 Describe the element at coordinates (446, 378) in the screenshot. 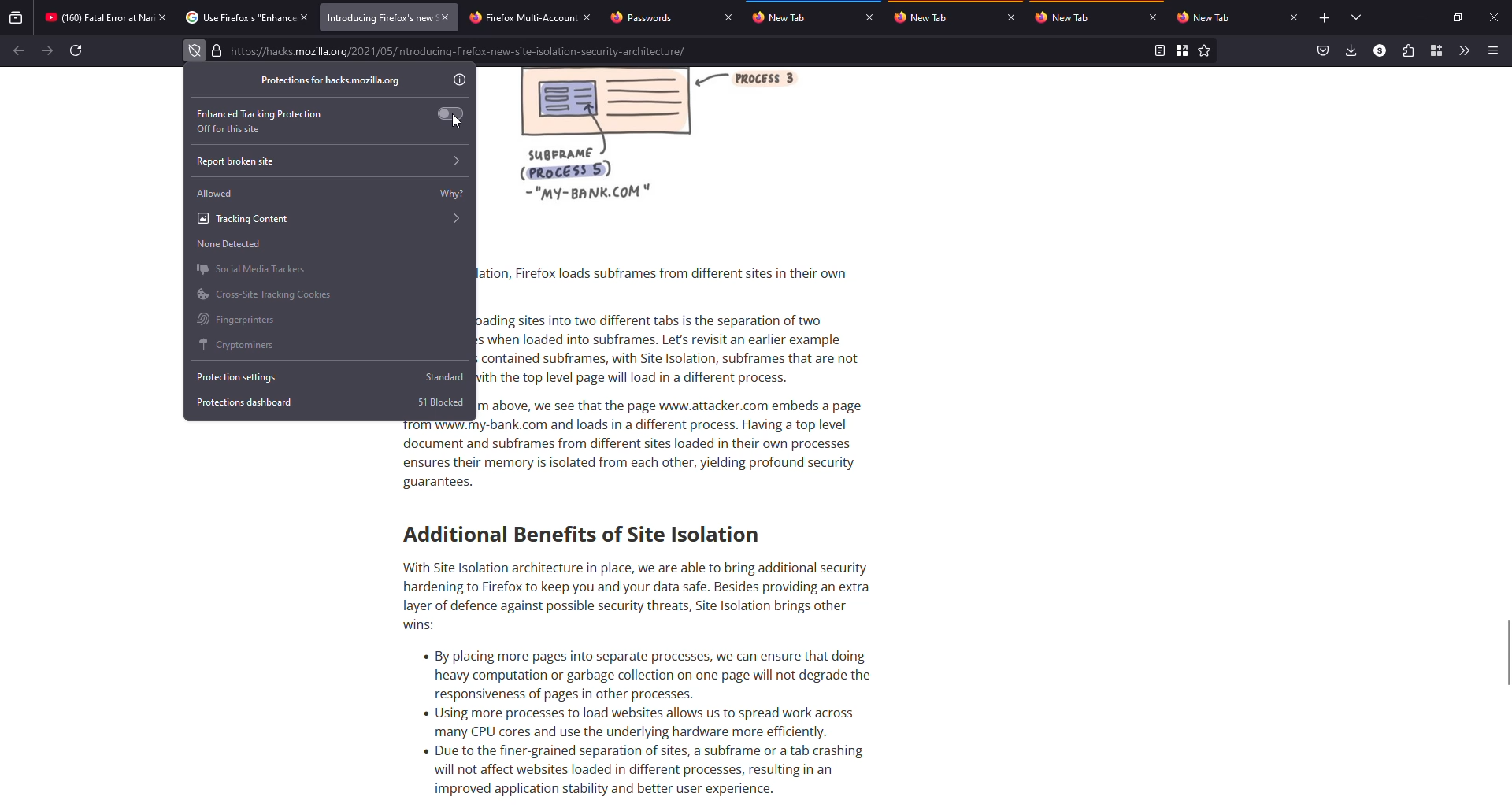

I see `standard` at that location.